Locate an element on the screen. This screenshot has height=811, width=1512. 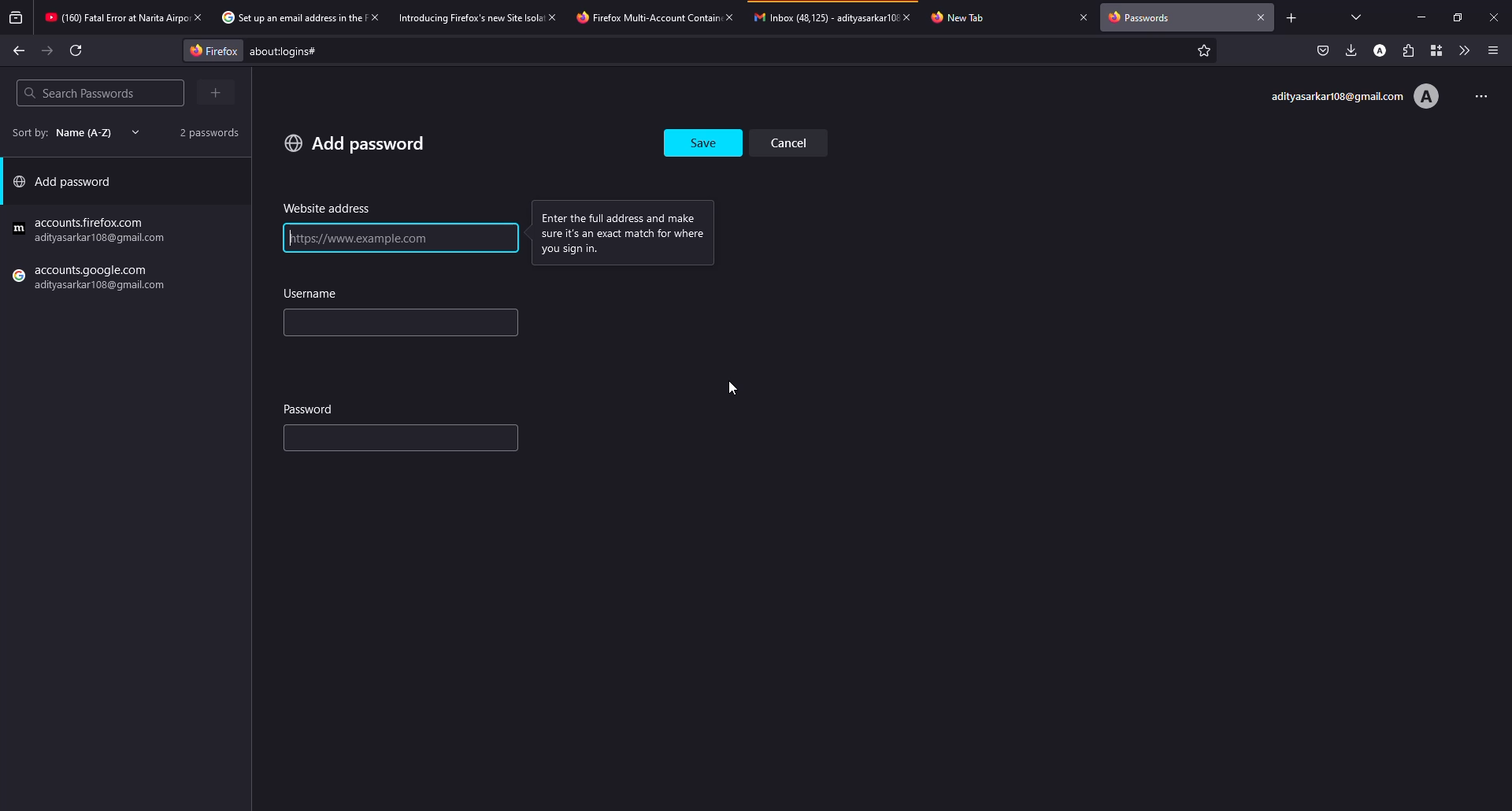
add password is located at coordinates (68, 185).